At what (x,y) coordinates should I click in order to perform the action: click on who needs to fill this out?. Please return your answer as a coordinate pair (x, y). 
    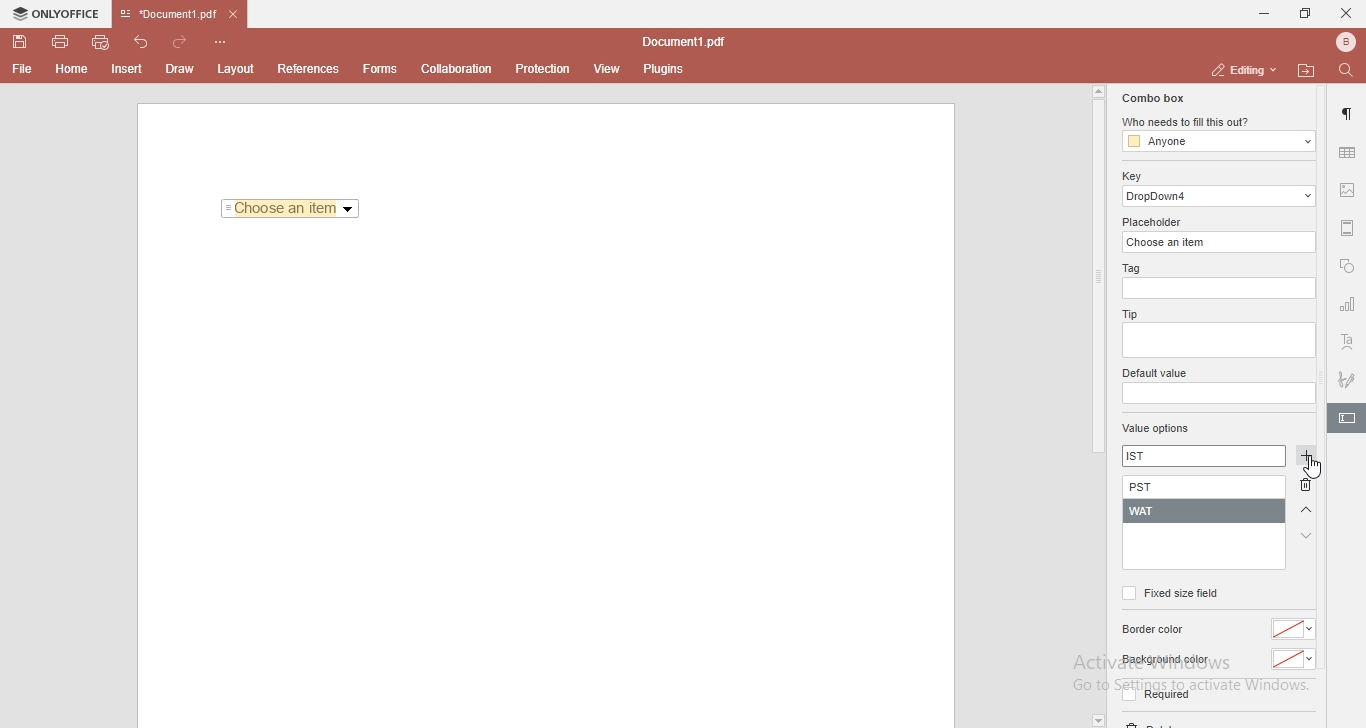
    Looking at the image, I should click on (1216, 123).